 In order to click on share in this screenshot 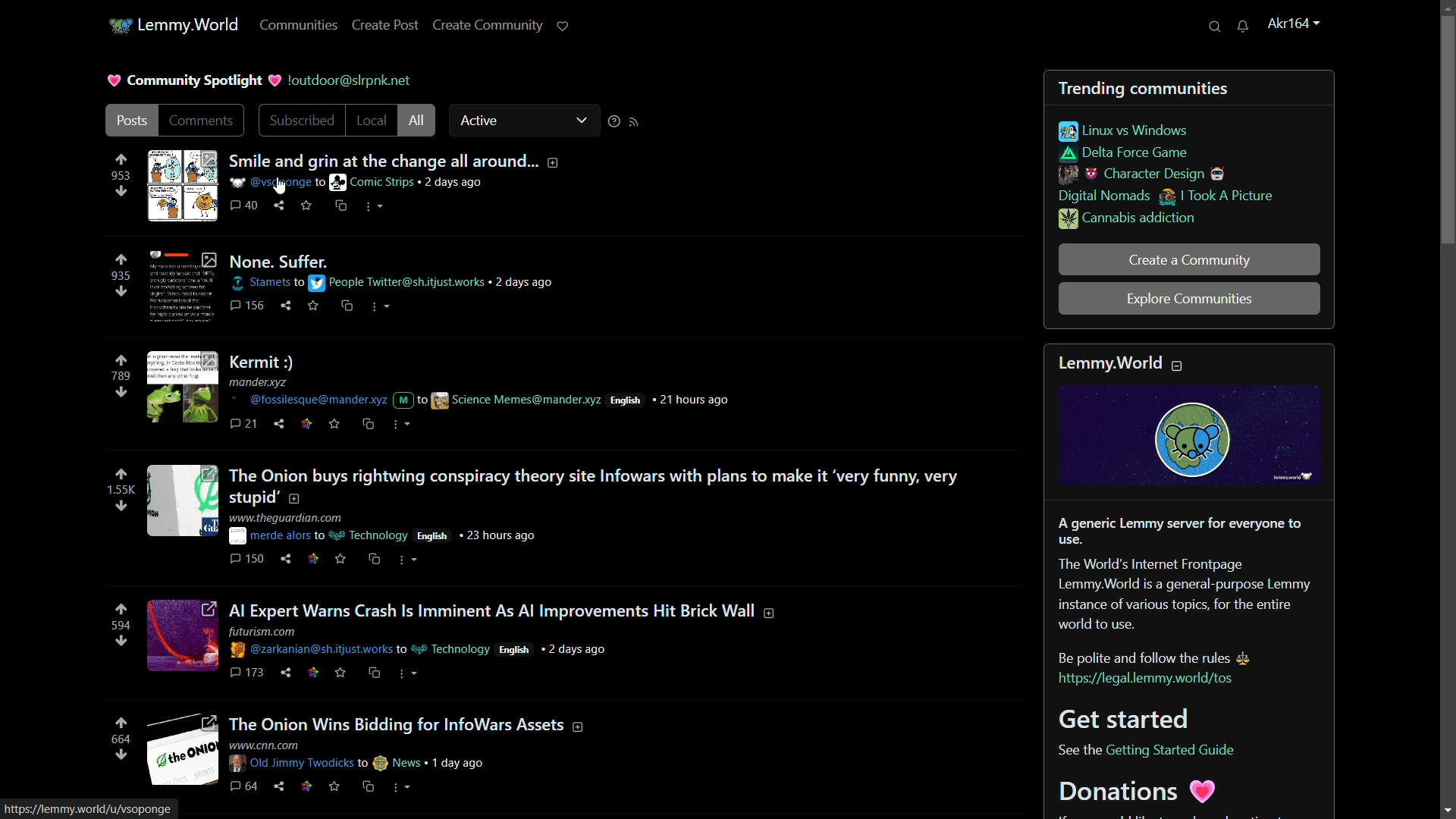, I will do `click(280, 787)`.